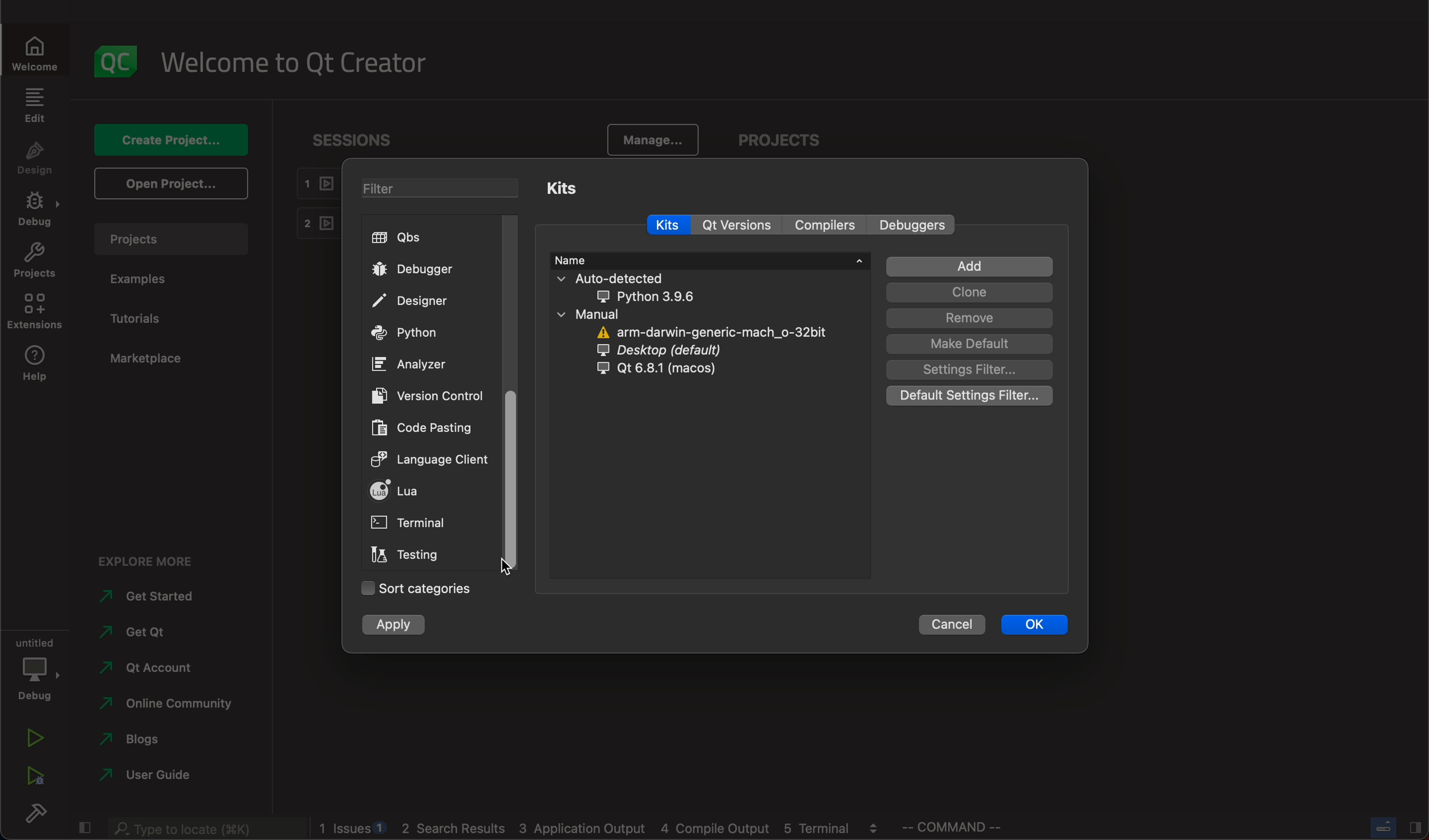  Describe the element at coordinates (669, 222) in the screenshot. I see `kits` at that location.